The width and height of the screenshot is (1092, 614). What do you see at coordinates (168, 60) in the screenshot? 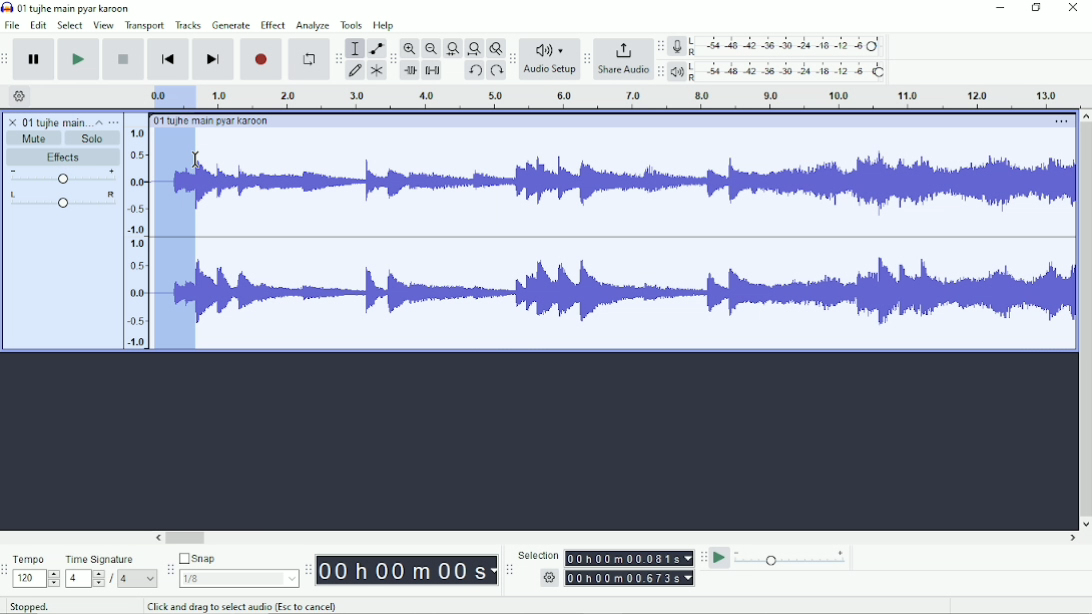
I see `Skip to start` at bounding box center [168, 60].